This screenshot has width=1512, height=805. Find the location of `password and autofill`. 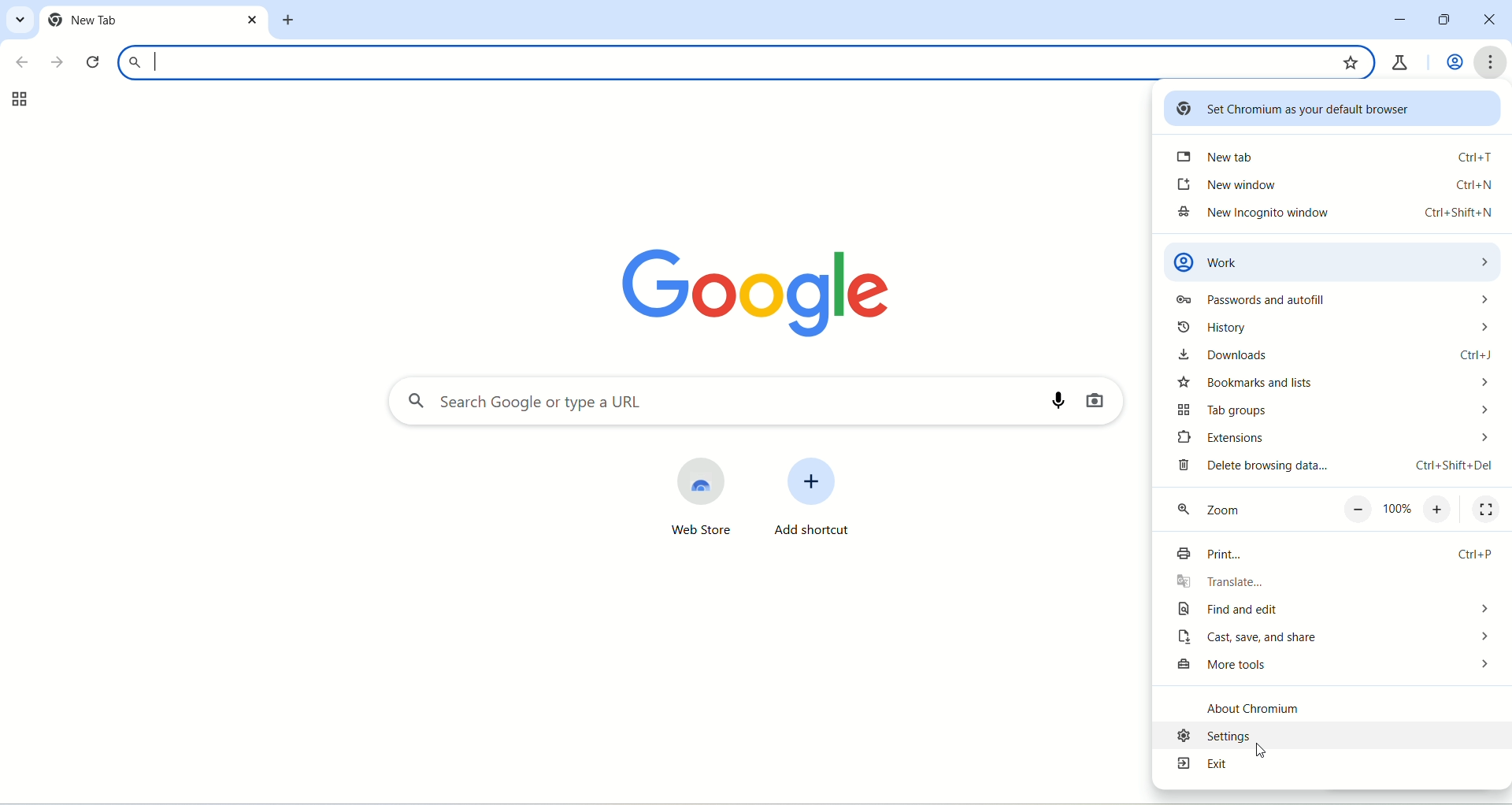

password and autofill is located at coordinates (1325, 298).